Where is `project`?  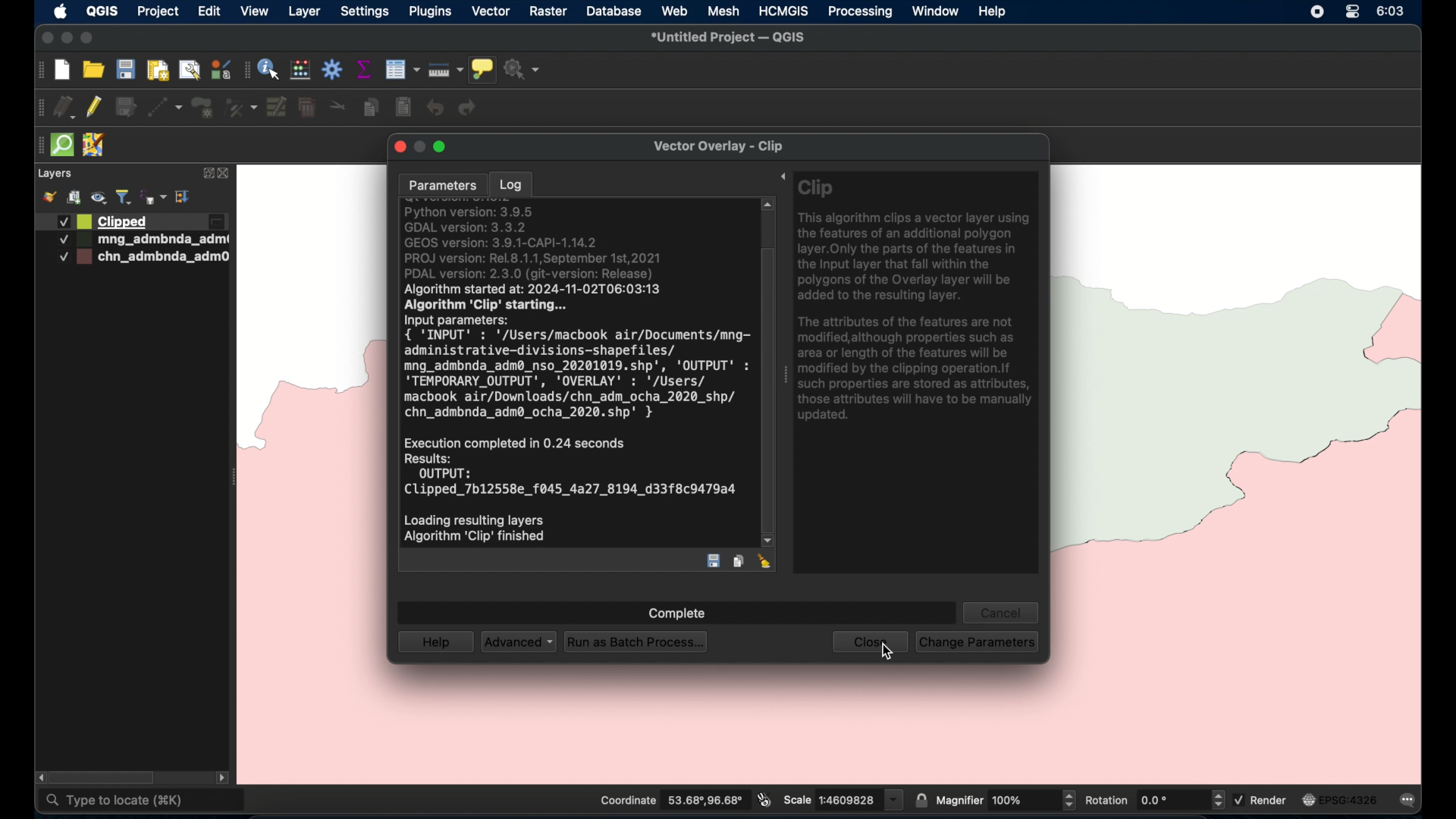
project is located at coordinates (157, 13).